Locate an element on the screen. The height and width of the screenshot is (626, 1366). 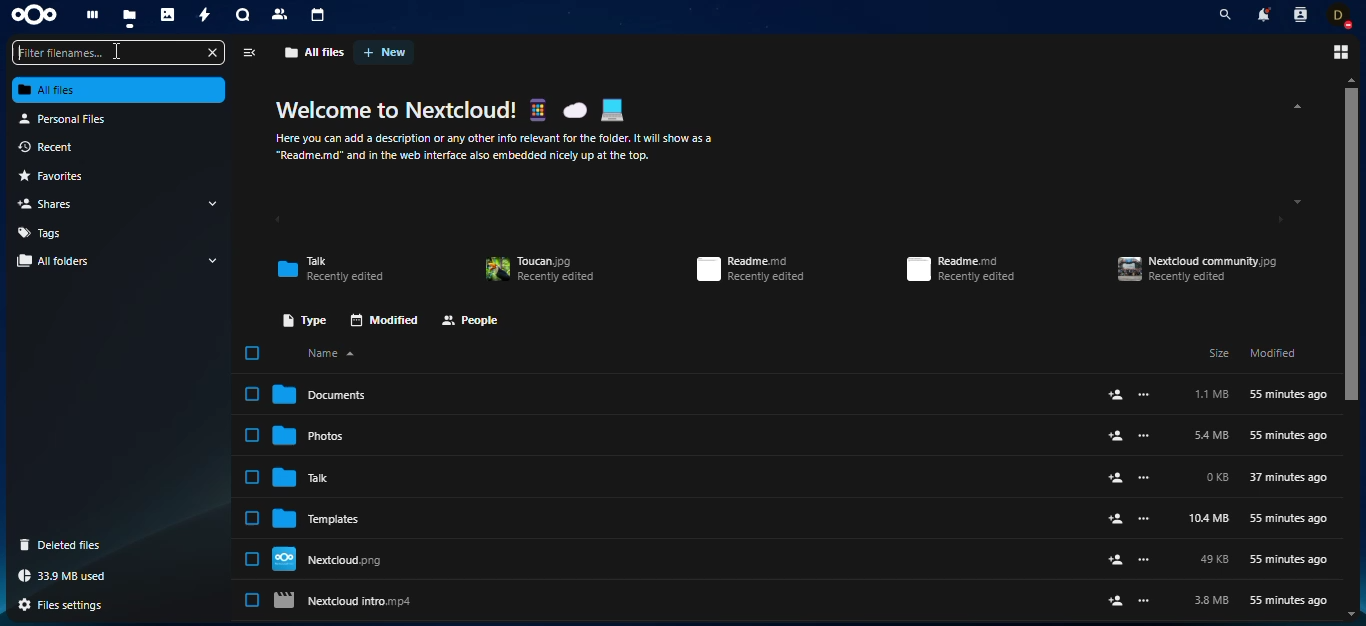
more is located at coordinates (1144, 436).